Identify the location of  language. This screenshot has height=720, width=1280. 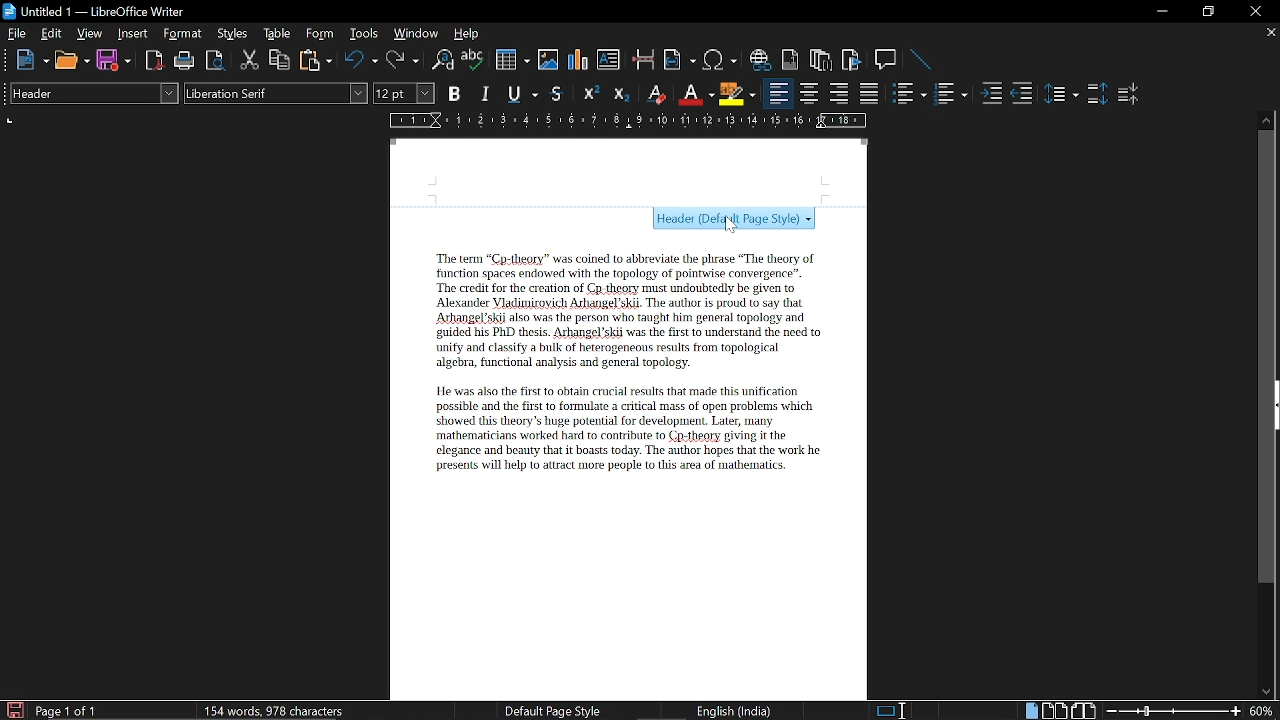
(736, 711).